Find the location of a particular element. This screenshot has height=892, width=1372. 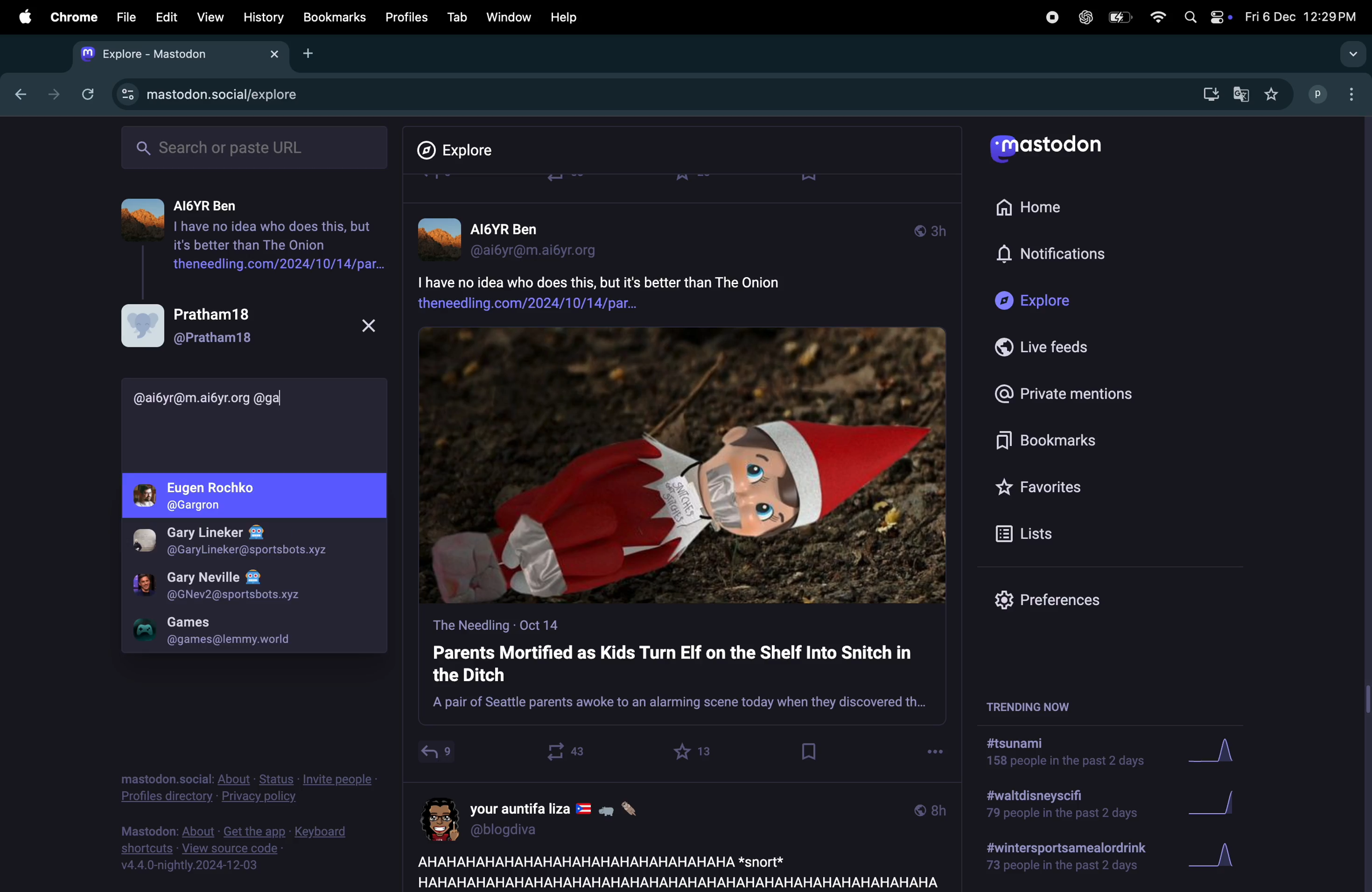

forward is located at coordinates (50, 94).